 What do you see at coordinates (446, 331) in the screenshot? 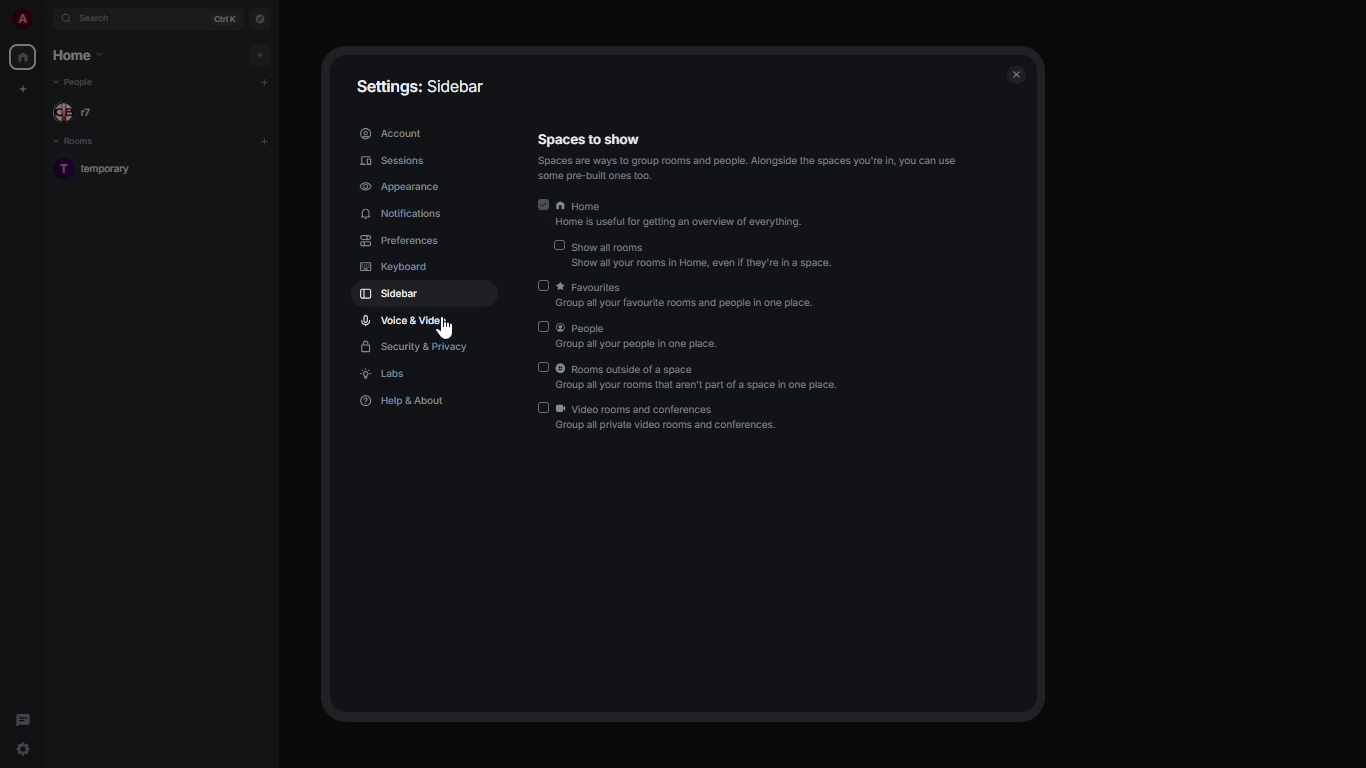
I see `cursor` at bounding box center [446, 331].